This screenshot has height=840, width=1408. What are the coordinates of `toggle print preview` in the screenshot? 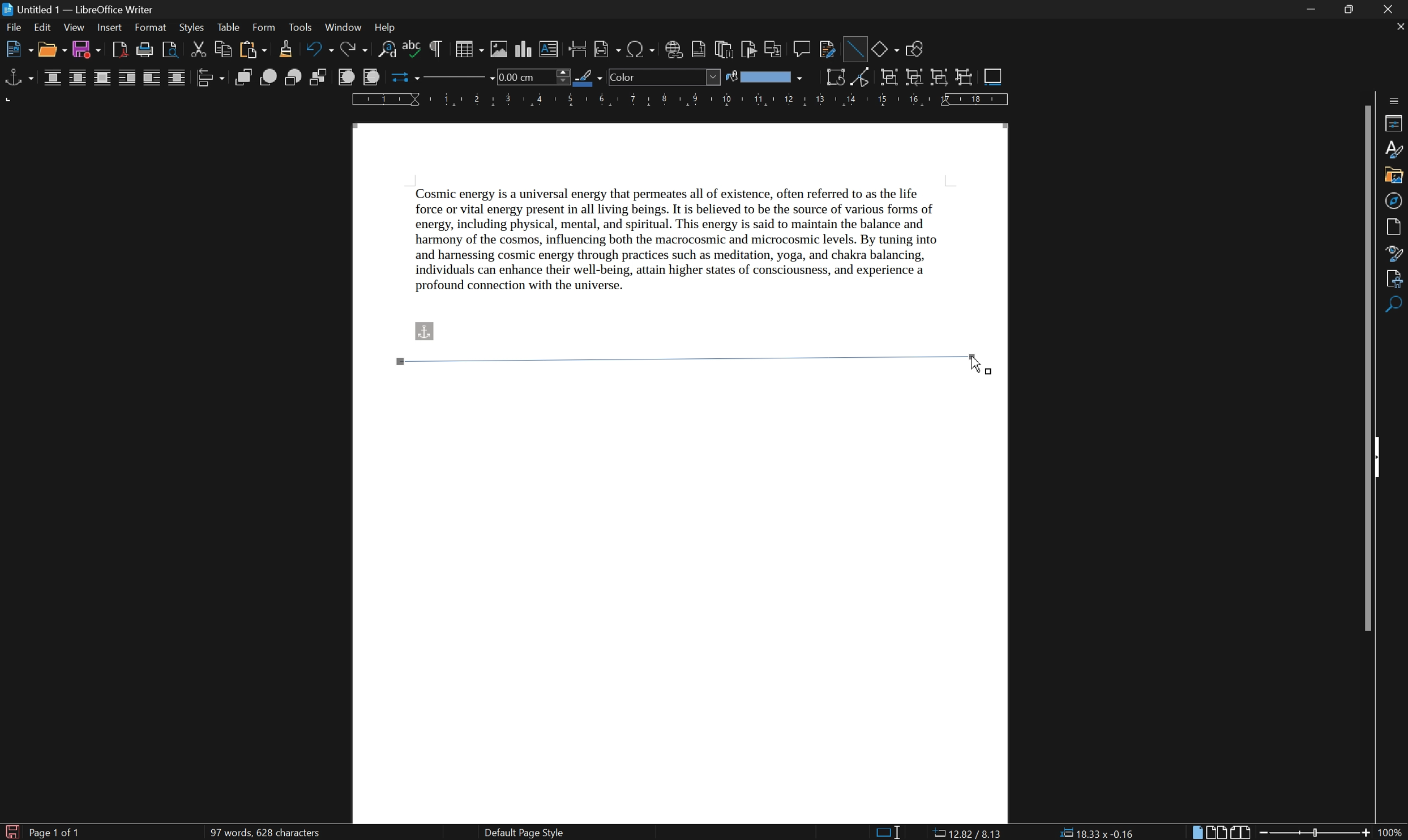 It's located at (168, 49).